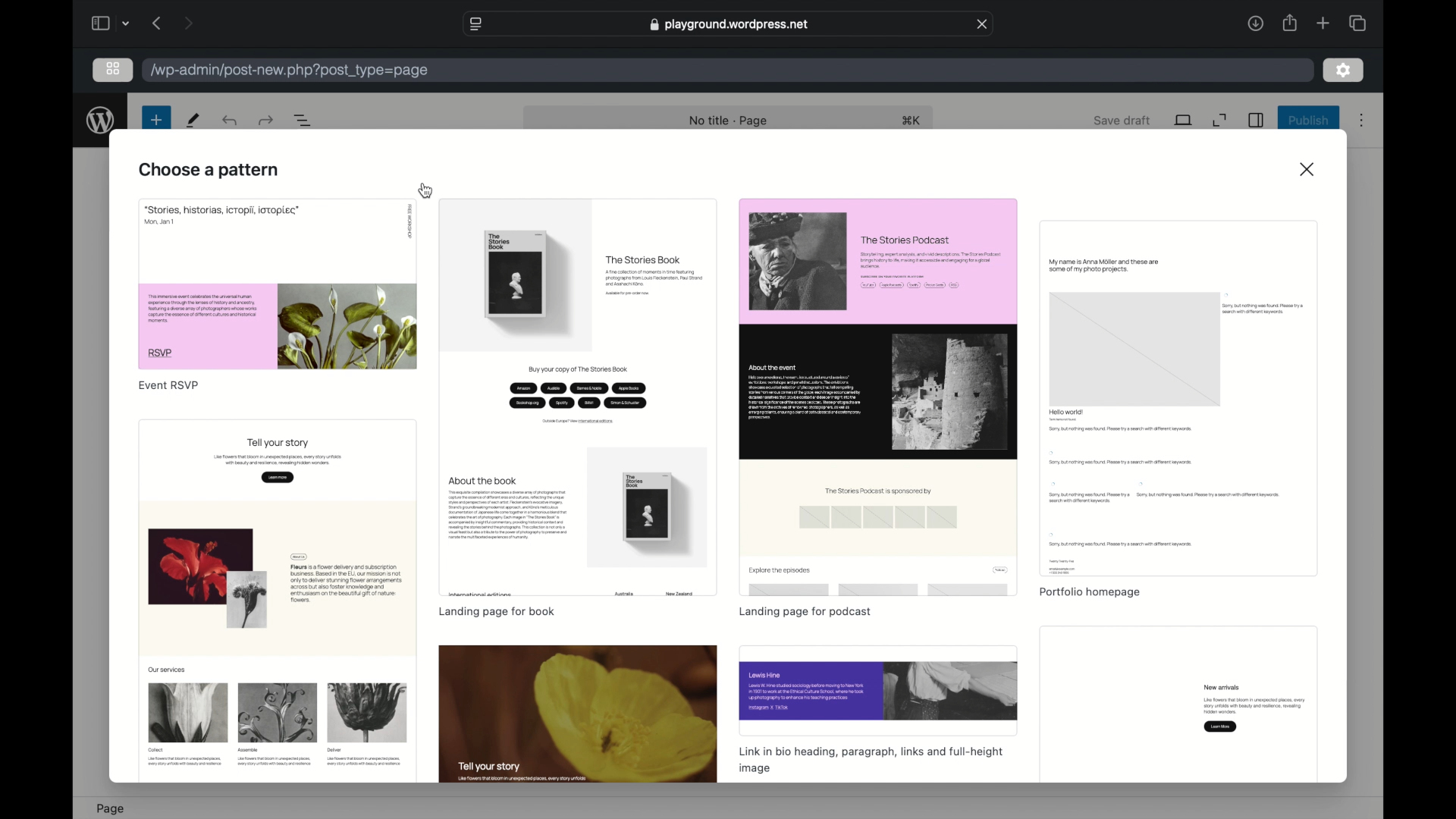  I want to click on landing page for book, so click(497, 611).